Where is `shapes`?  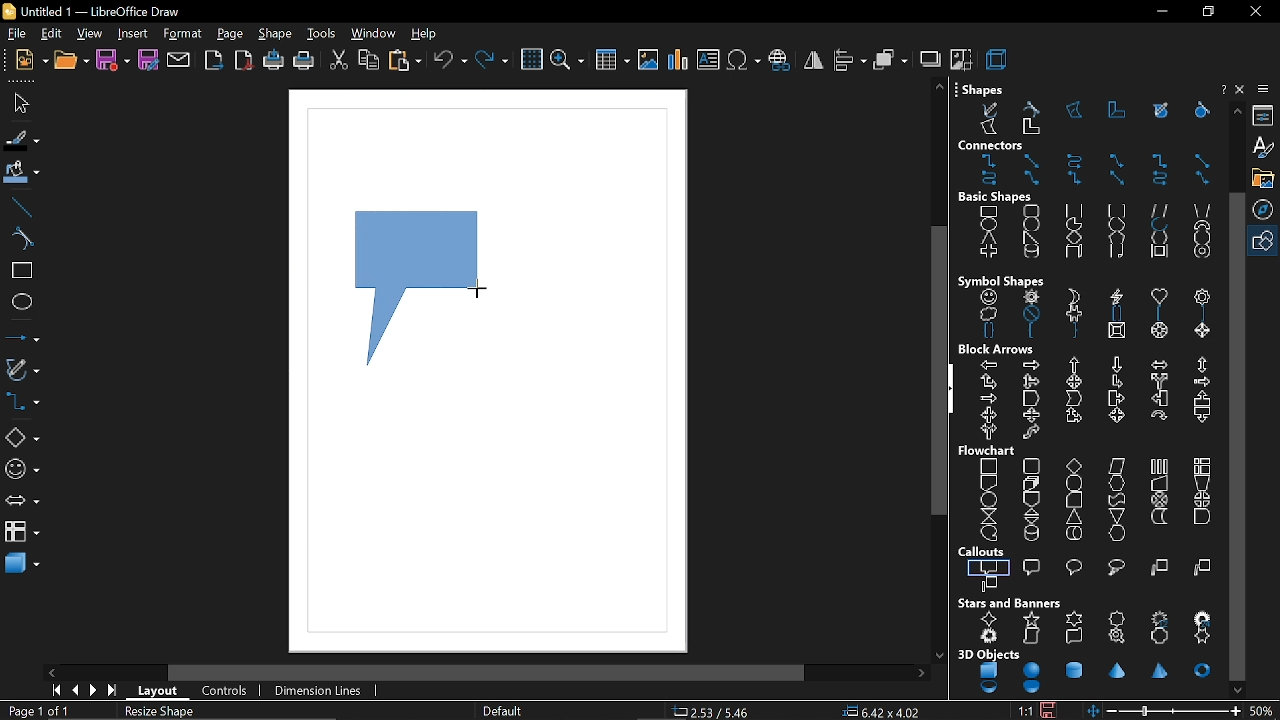
shapes is located at coordinates (1266, 239).